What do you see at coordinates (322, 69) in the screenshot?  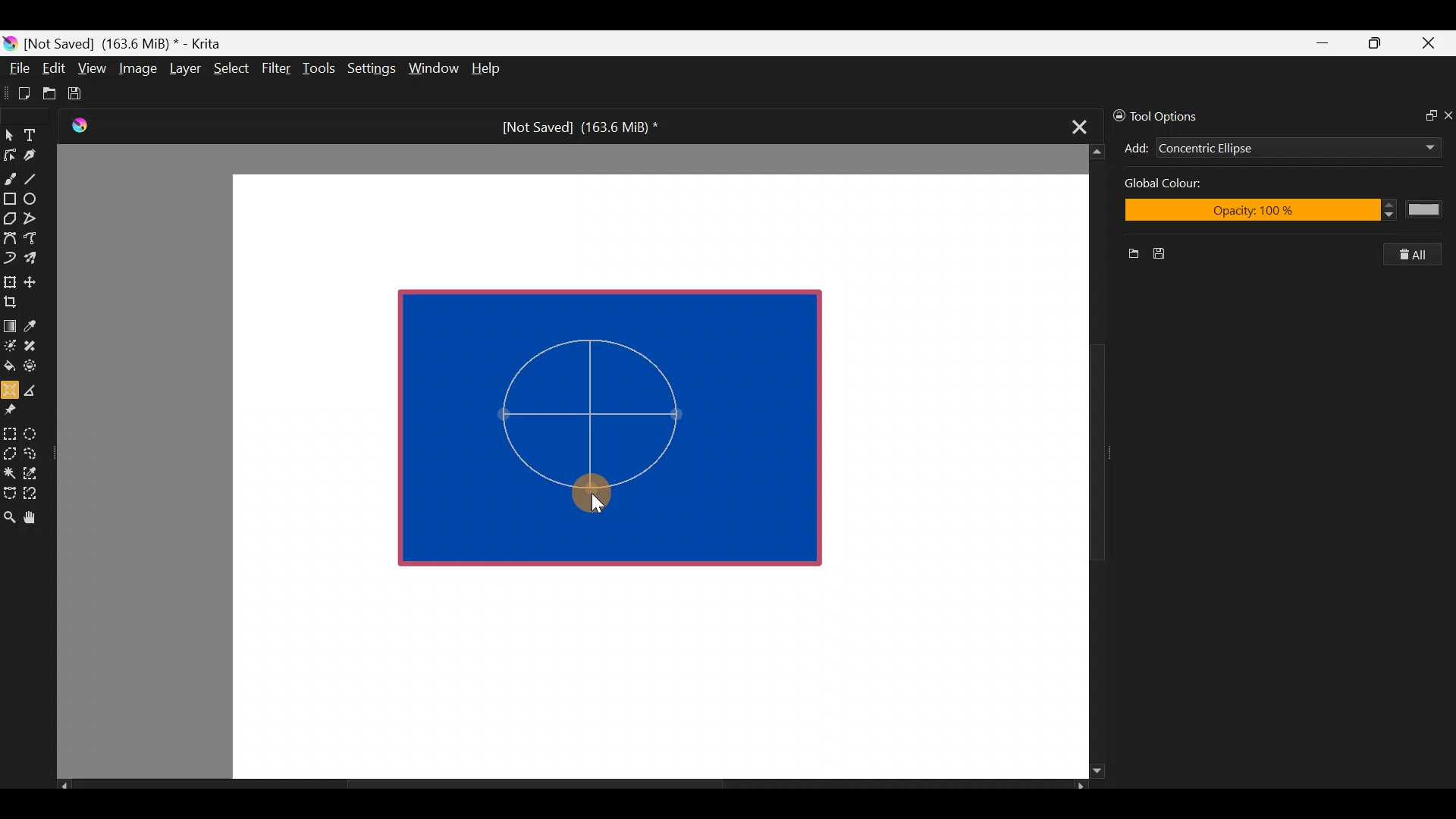 I see `Tools` at bounding box center [322, 69].